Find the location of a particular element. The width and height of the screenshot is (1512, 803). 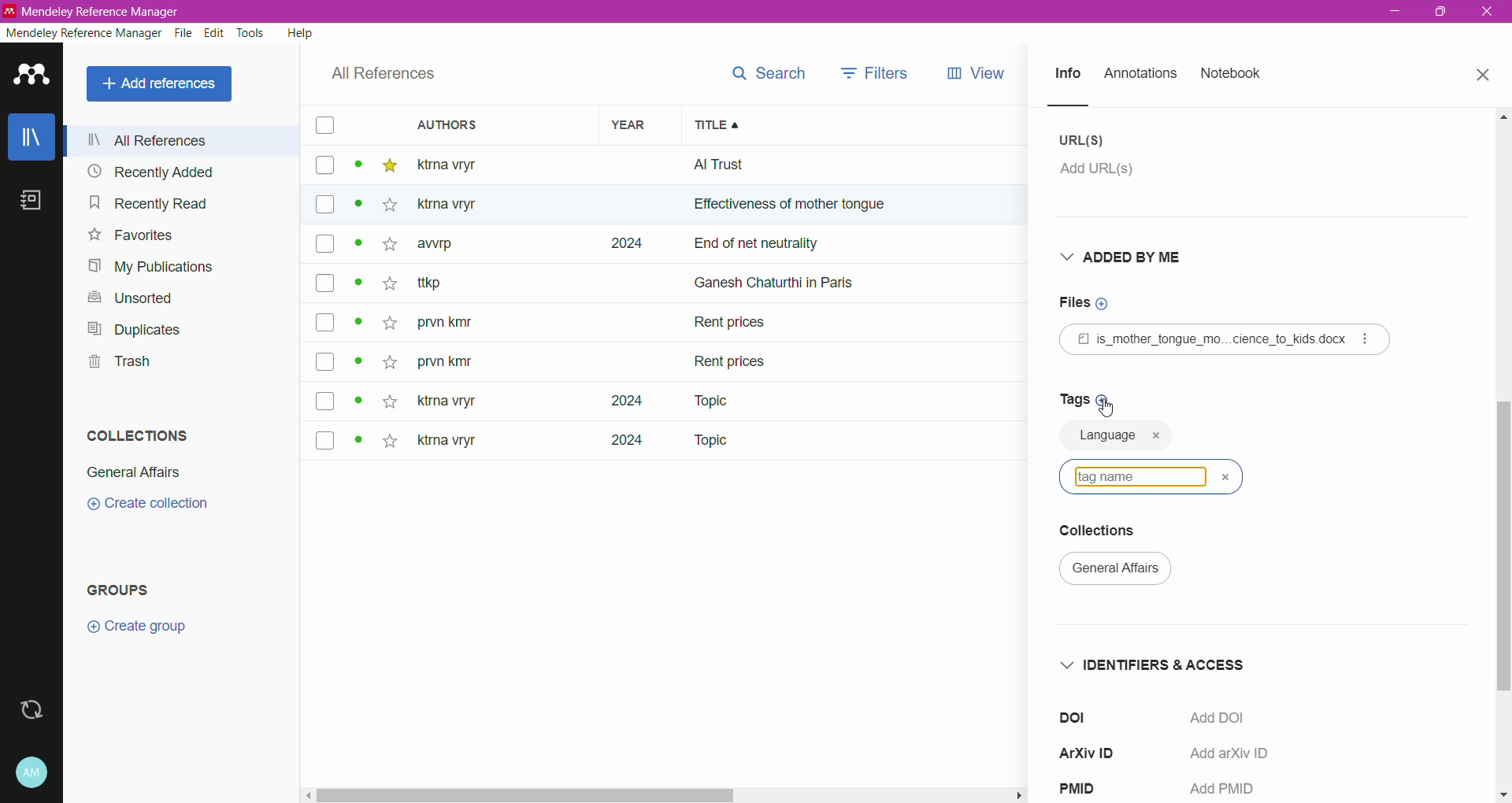

ArXiV ID is located at coordinates (1097, 751).